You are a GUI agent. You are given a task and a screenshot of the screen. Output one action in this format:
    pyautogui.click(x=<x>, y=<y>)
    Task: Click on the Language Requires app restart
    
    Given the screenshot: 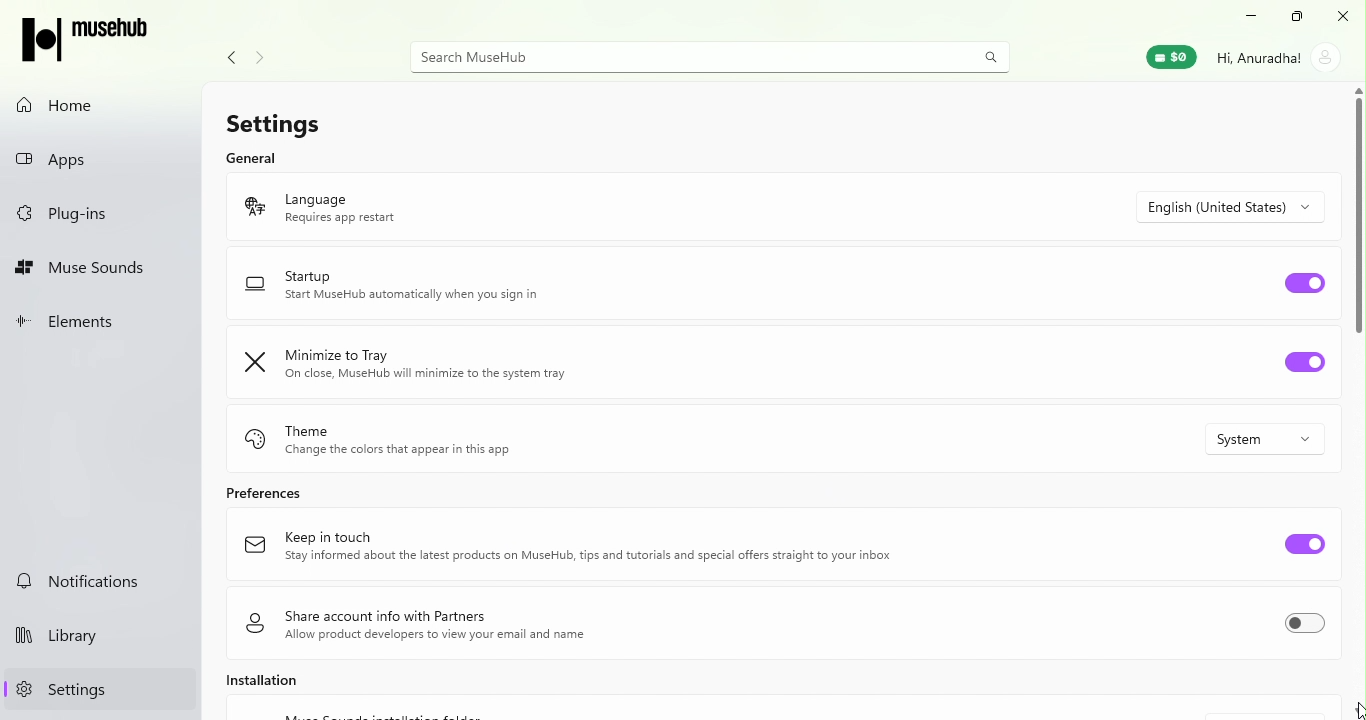 What is the action you would take?
    pyautogui.click(x=347, y=212)
    